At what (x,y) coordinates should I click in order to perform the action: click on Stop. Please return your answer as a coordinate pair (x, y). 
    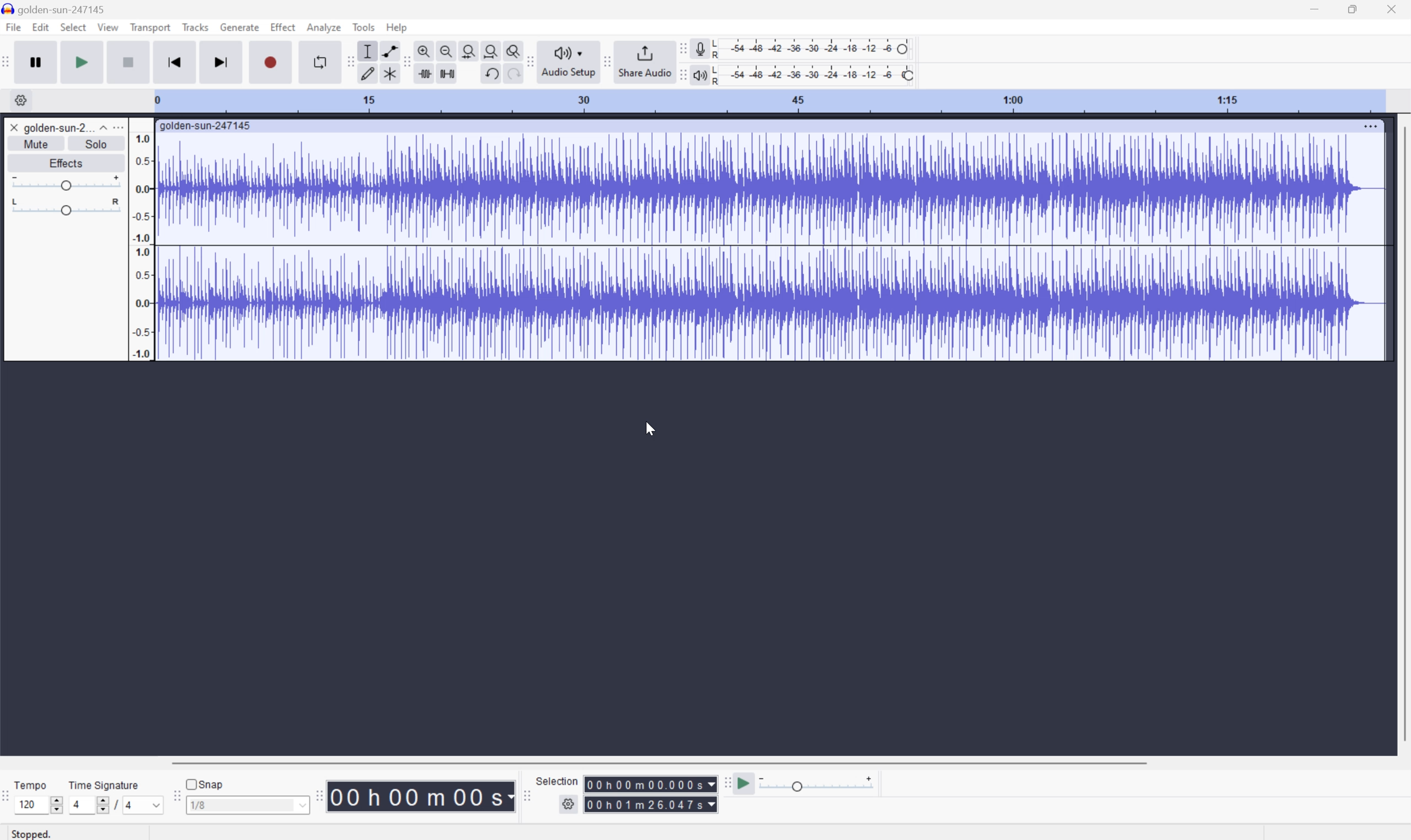
    Looking at the image, I should click on (129, 62).